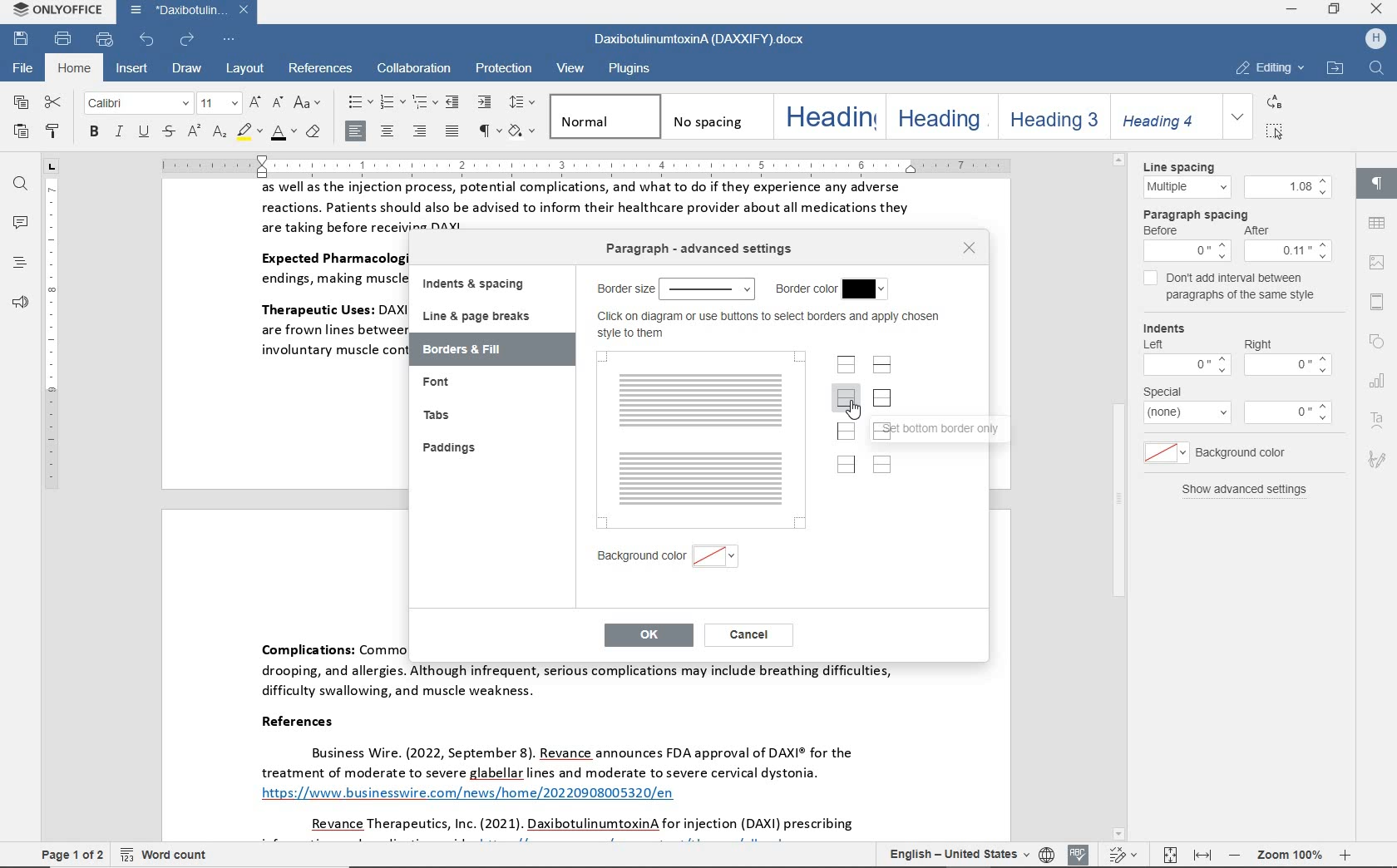  I want to click on editing, so click(1270, 68).